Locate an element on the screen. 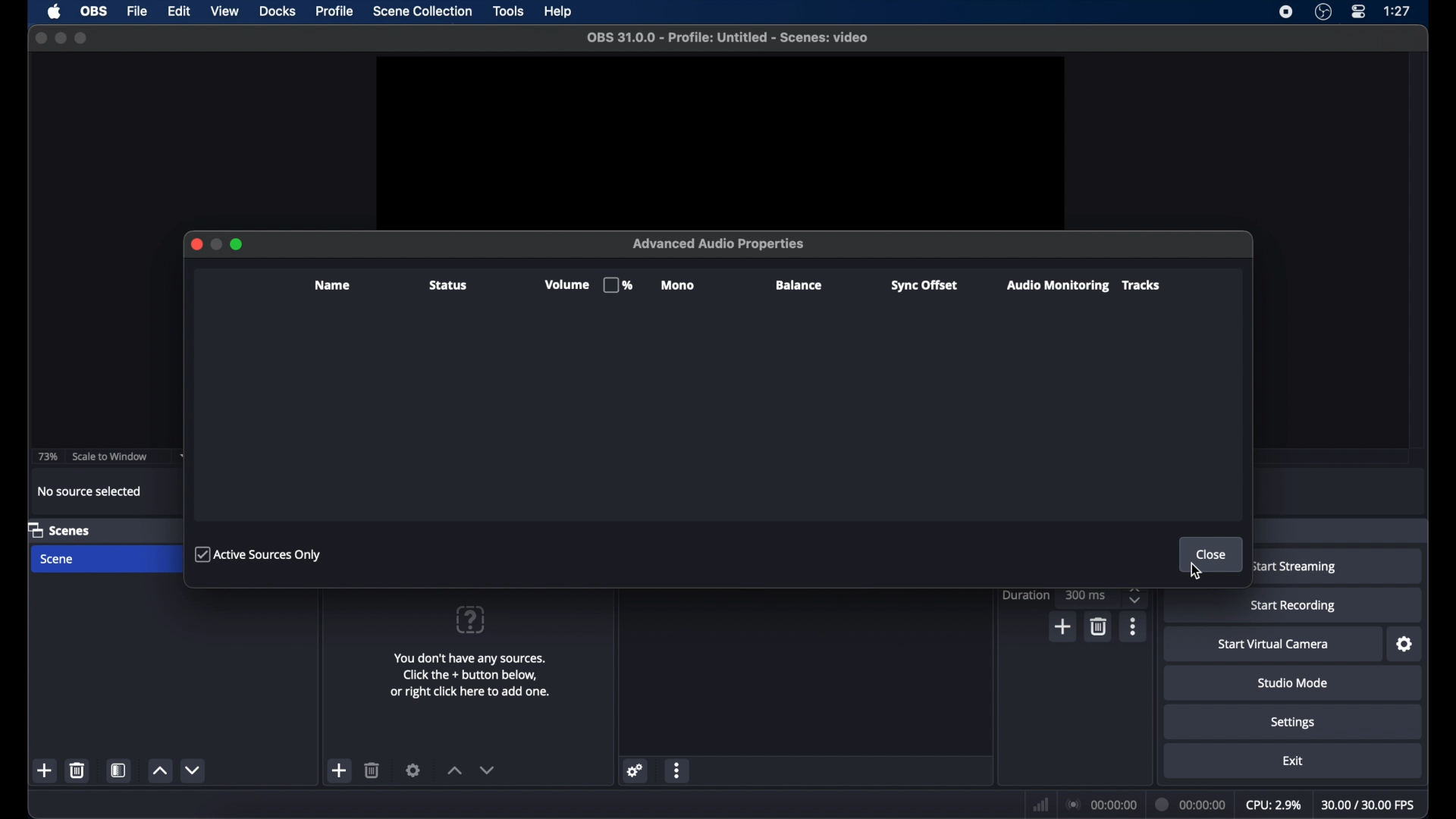 The height and width of the screenshot is (819, 1456). disabled icons is located at coordinates (238, 243).